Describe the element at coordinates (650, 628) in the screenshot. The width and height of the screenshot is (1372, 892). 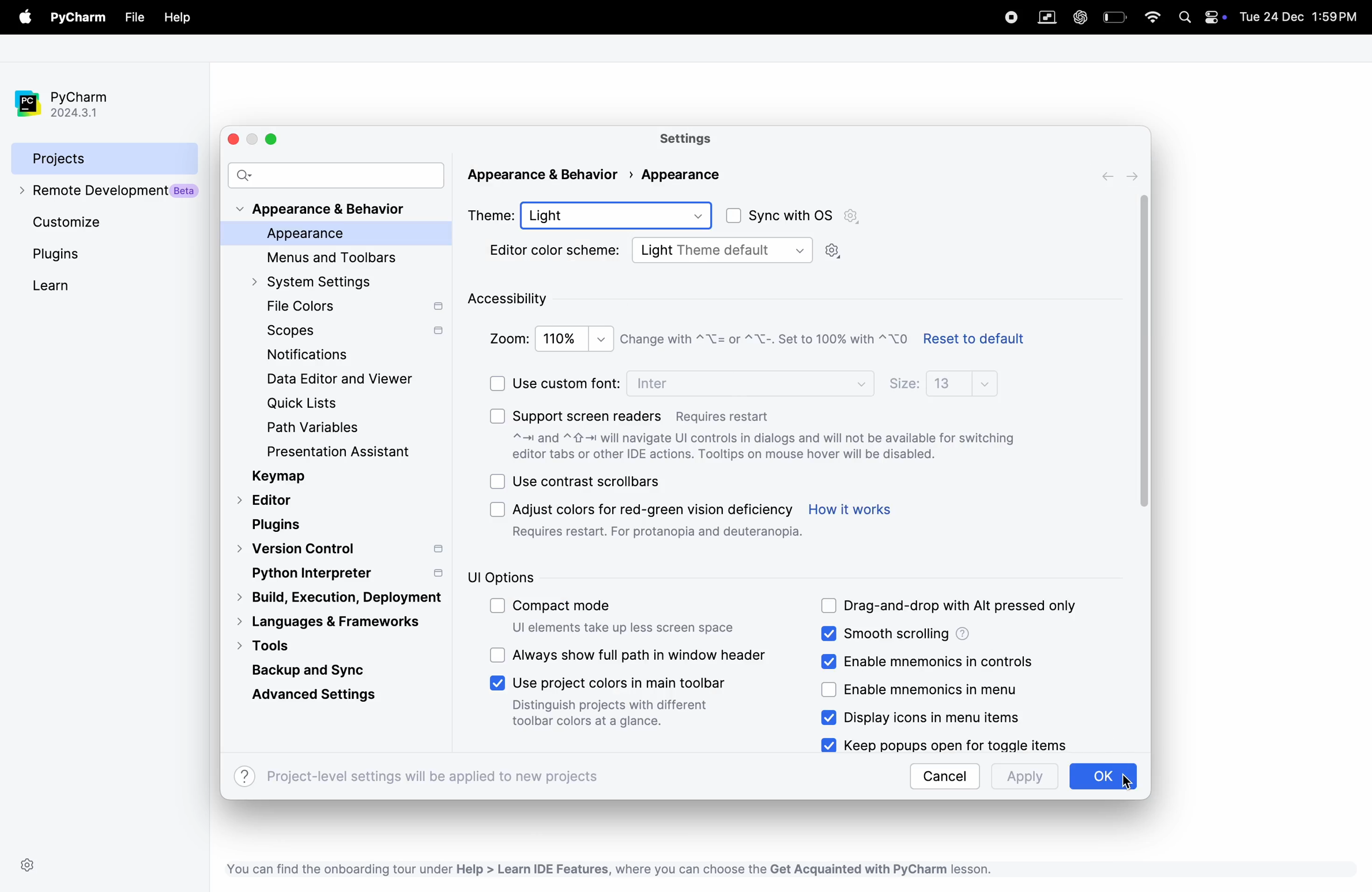
I see `| SSL ease det aidan
Ul elements take up less screen space` at that location.